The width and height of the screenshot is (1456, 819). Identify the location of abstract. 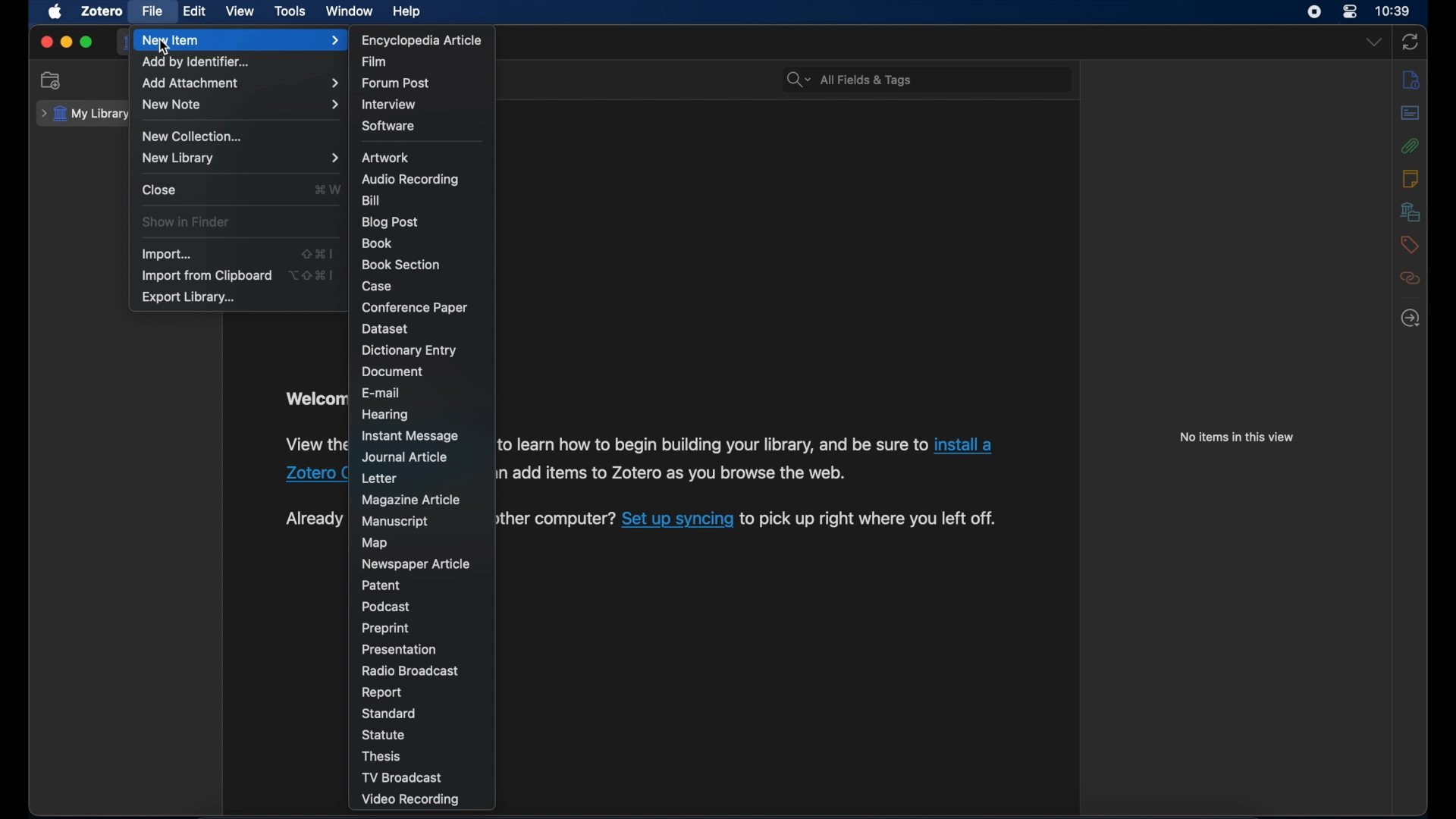
(1410, 112).